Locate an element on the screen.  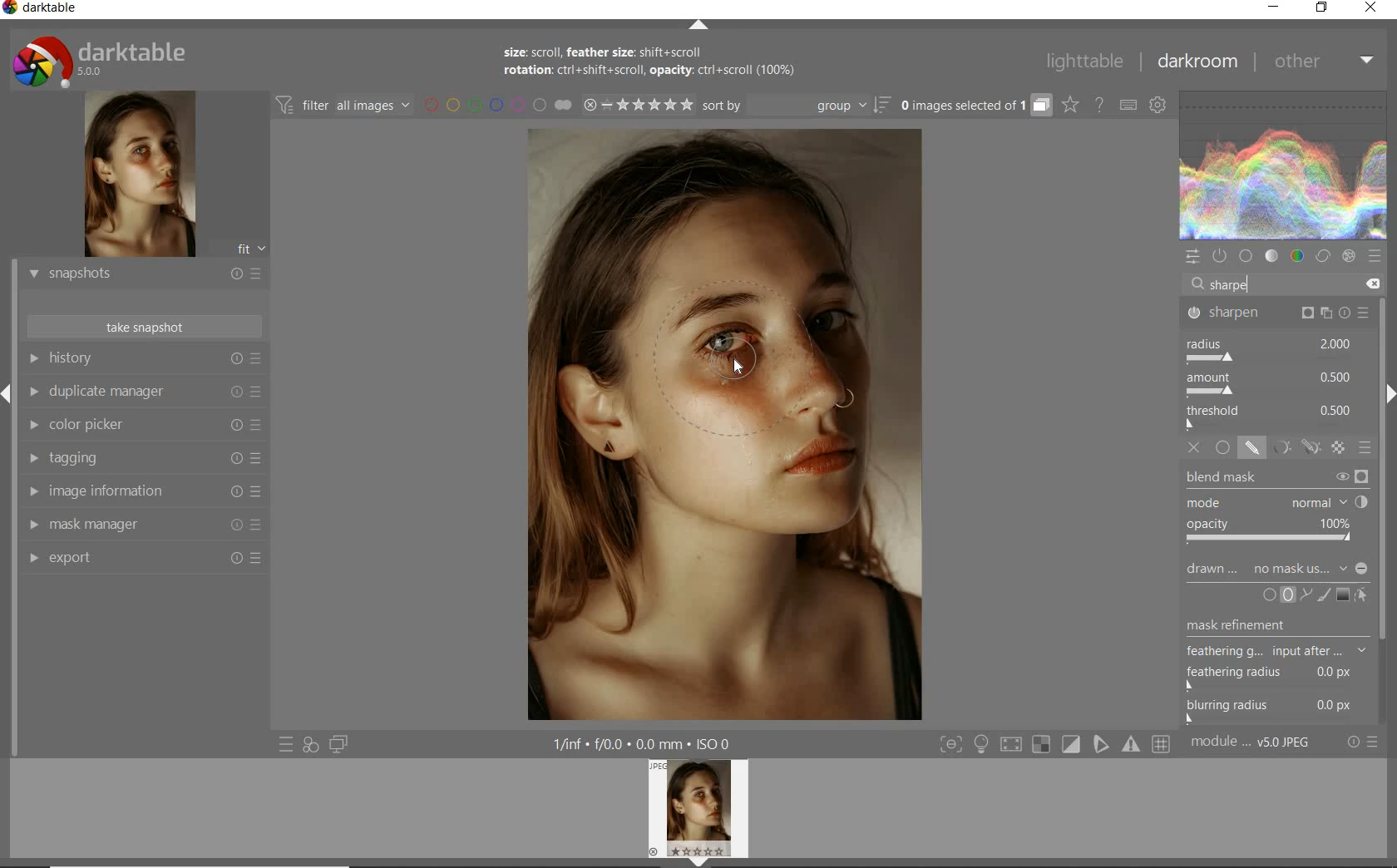
snapshots is located at coordinates (144, 275).